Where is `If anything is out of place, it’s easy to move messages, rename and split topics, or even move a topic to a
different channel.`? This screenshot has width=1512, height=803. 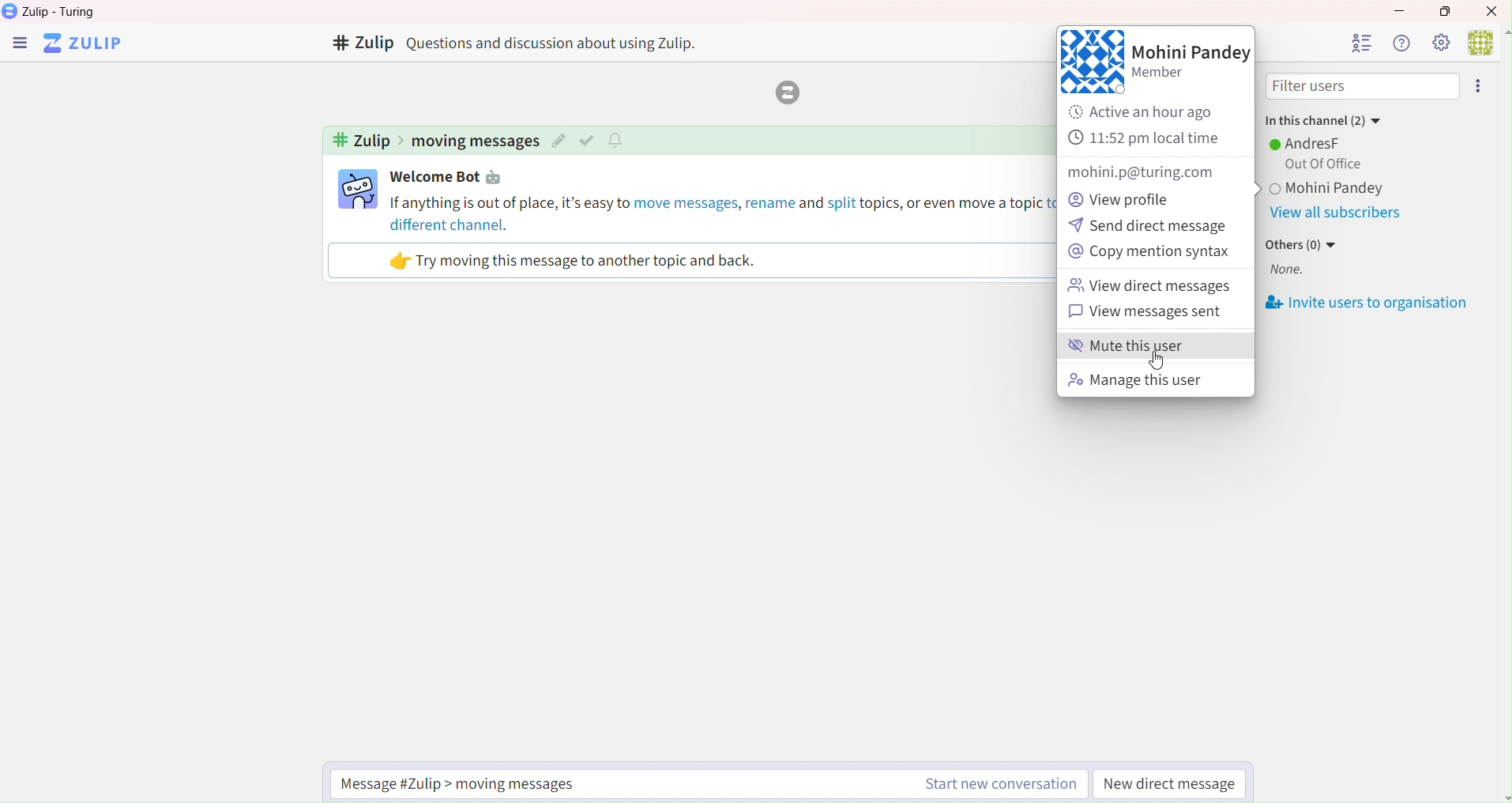 If anything is out of place, it’s easy to move messages, rename and split topics, or even move a topic to a
different channel. is located at coordinates (720, 213).